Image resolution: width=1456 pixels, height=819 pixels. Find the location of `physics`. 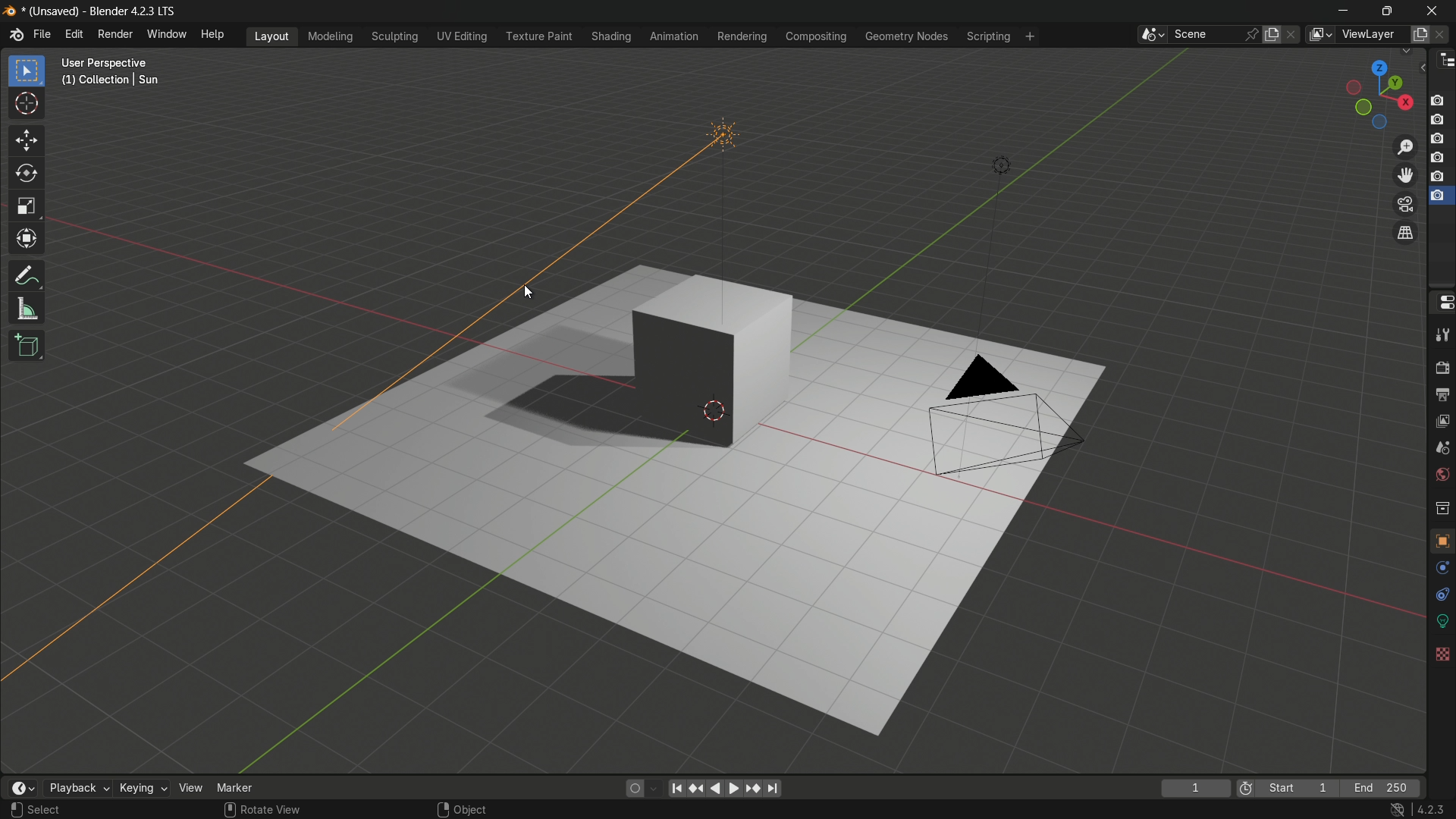

physics is located at coordinates (1442, 568).